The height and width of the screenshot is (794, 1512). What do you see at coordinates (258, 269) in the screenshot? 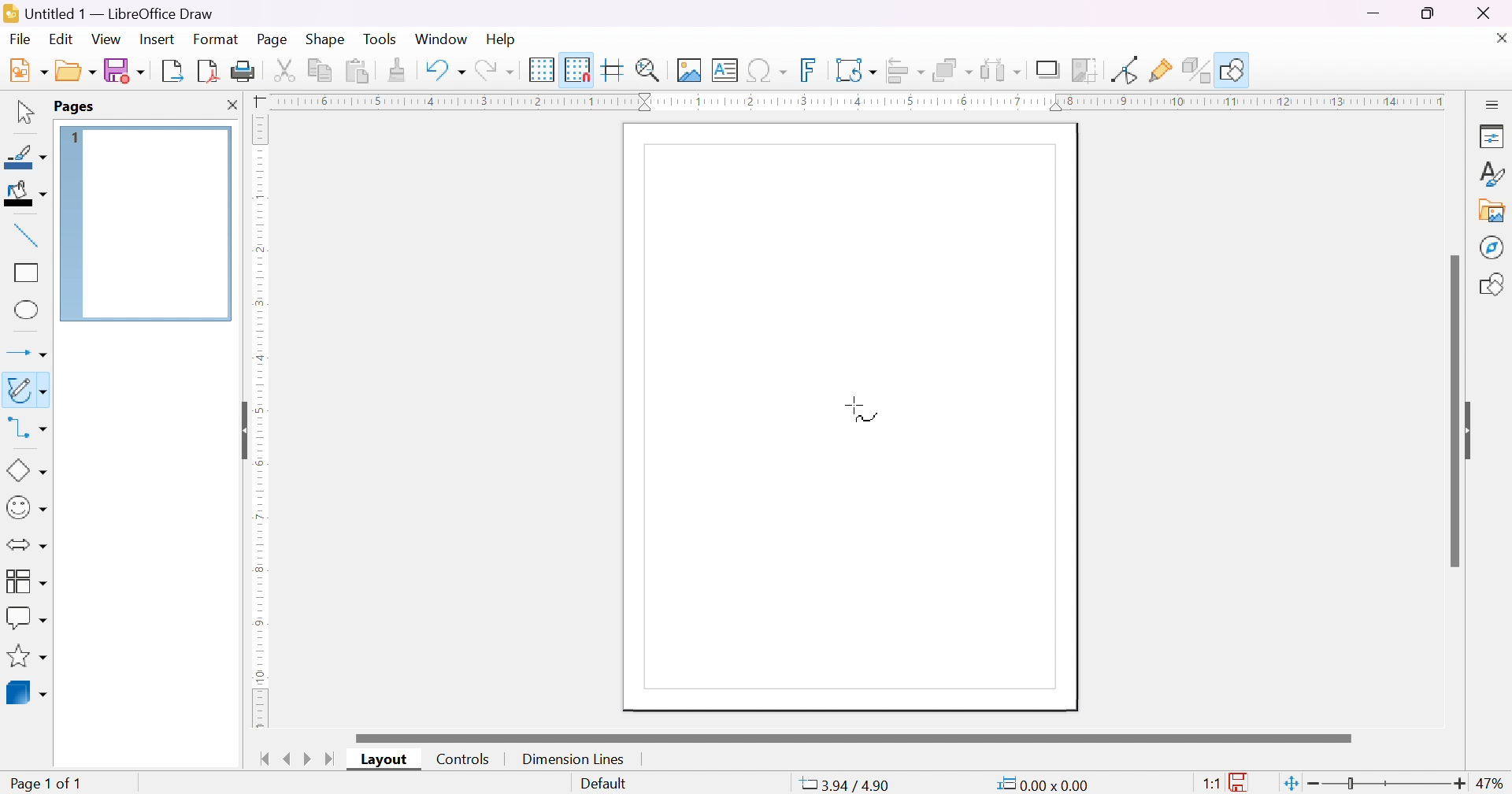
I see `ruler` at bounding box center [258, 269].